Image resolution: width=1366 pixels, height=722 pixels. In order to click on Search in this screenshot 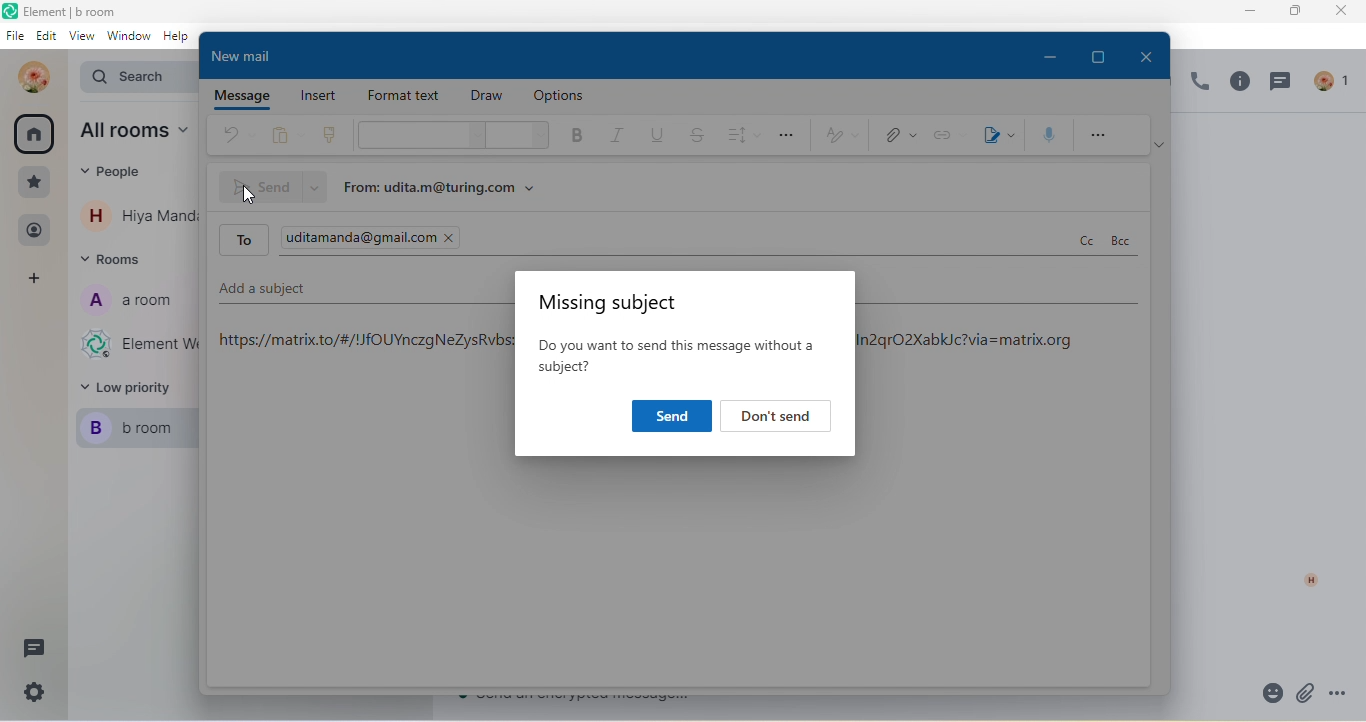, I will do `click(130, 78)`.